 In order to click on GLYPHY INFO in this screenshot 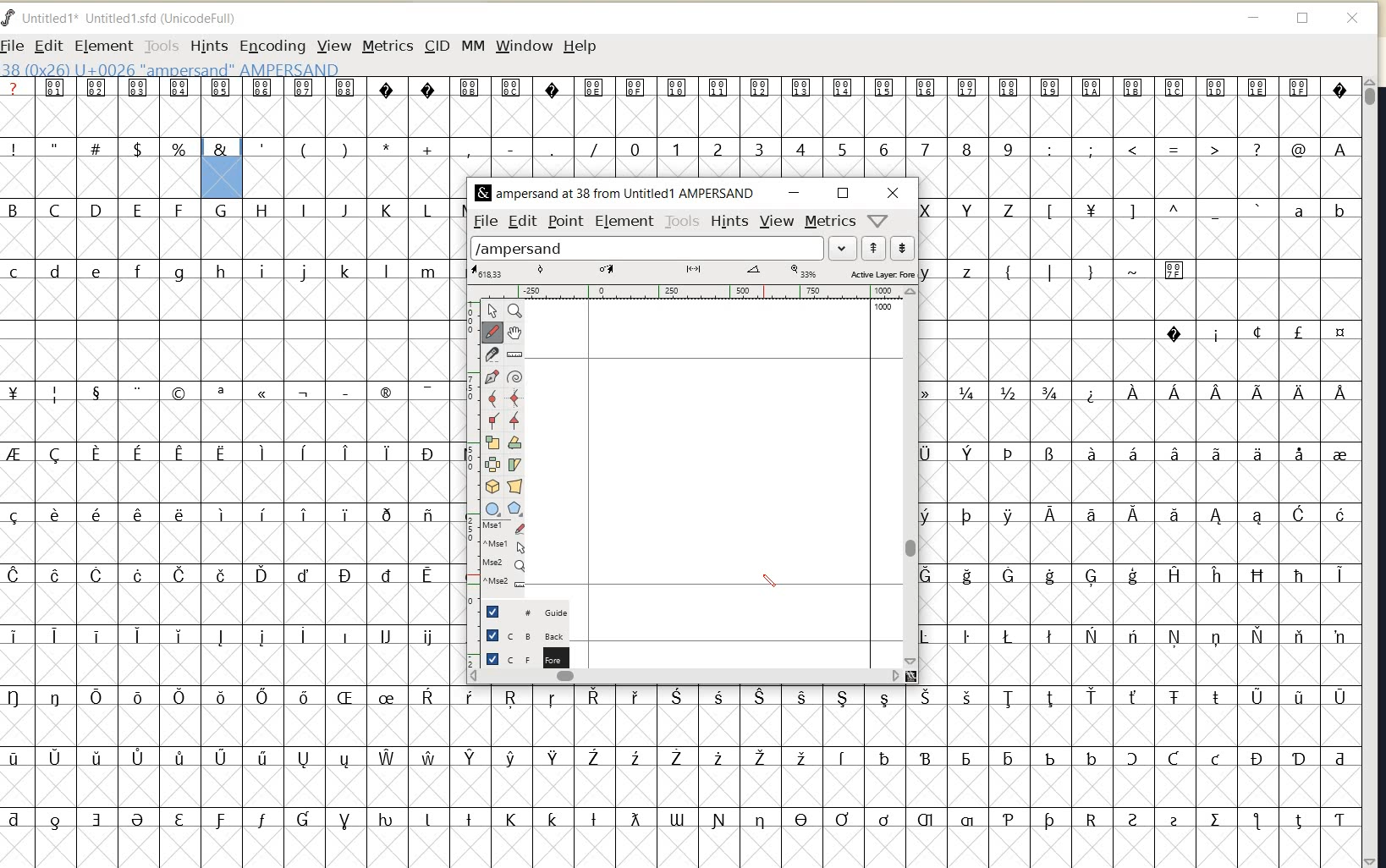, I will do `click(170, 70)`.